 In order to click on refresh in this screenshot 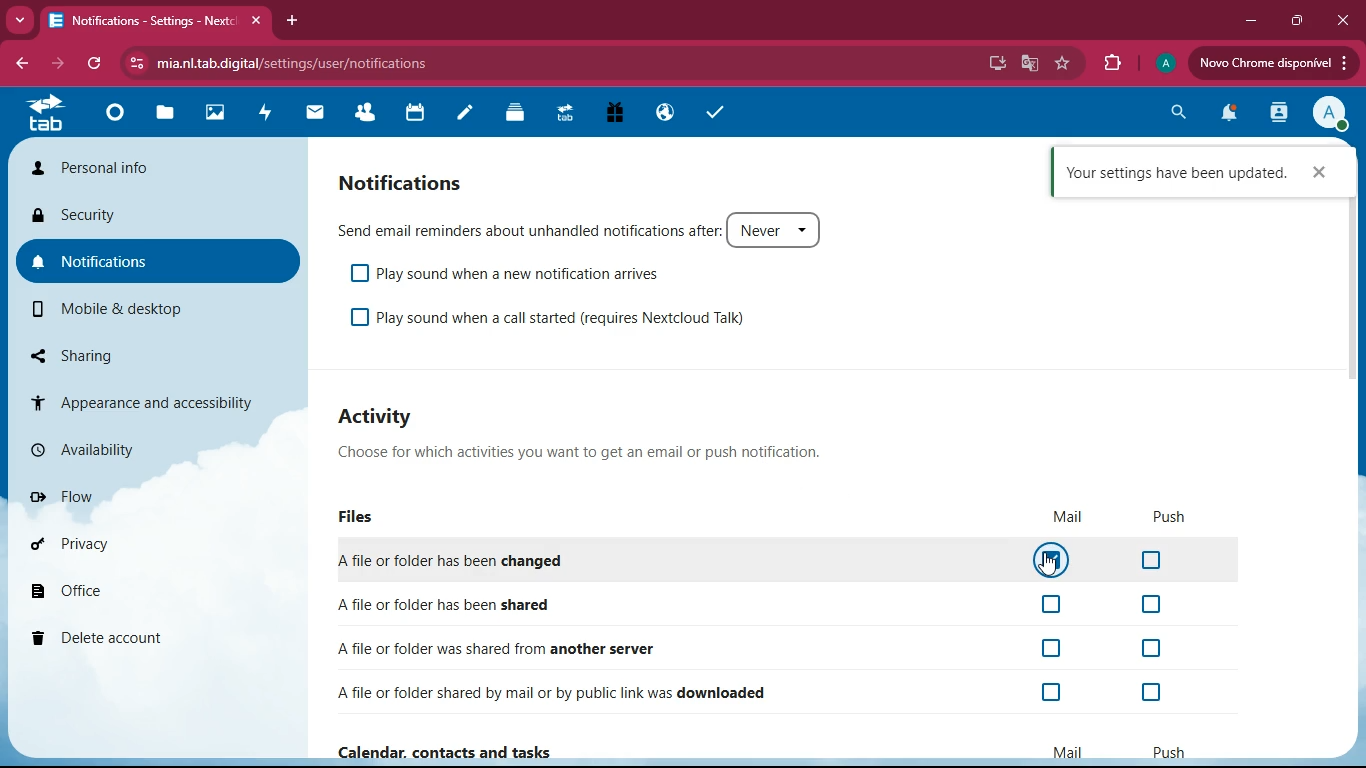, I will do `click(94, 64)`.